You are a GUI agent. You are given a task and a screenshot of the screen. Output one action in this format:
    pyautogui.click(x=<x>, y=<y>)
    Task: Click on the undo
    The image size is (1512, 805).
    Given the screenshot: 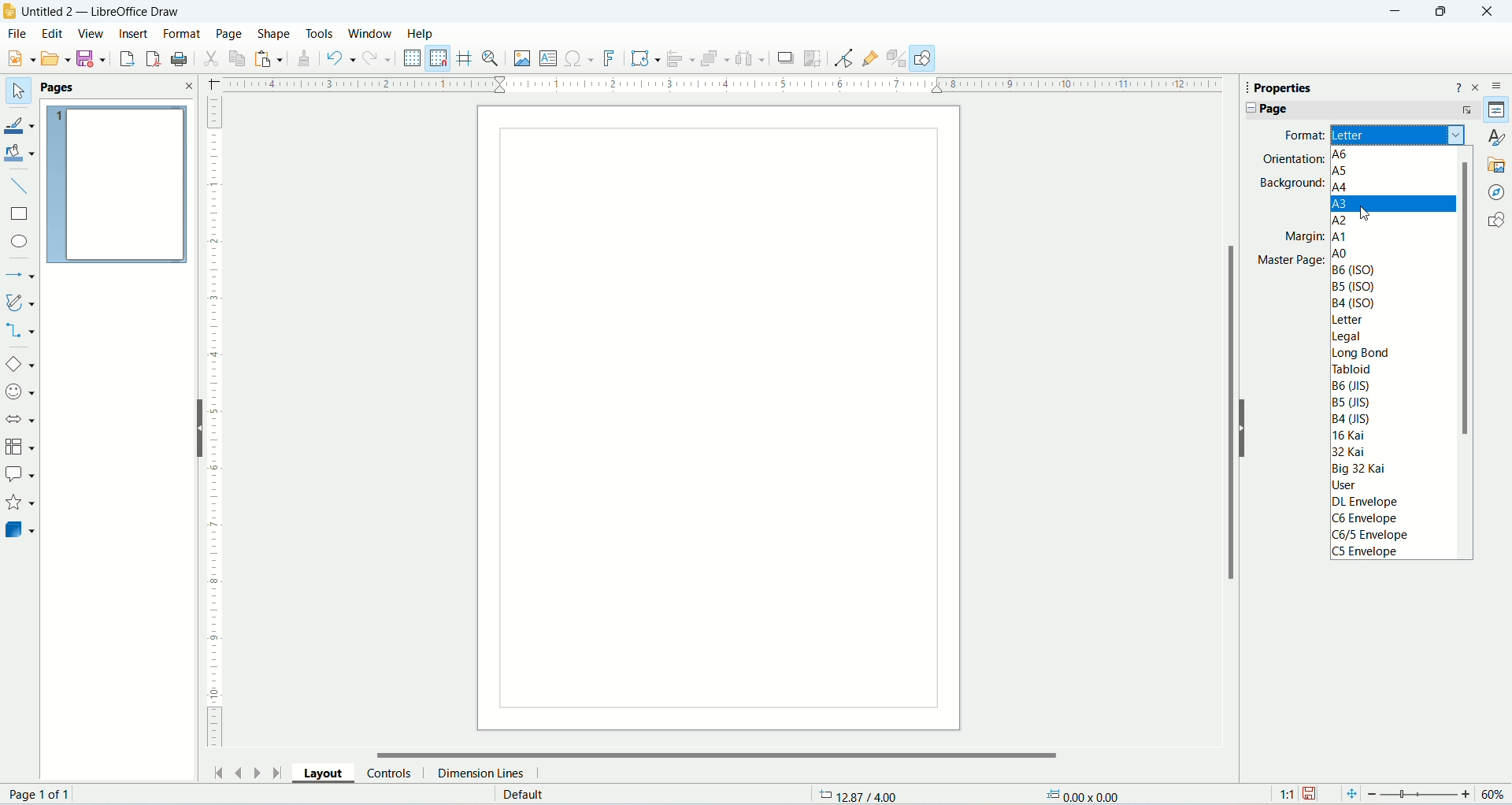 What is the action you would take?
    pyautogui.click(x=343, y=58)
    